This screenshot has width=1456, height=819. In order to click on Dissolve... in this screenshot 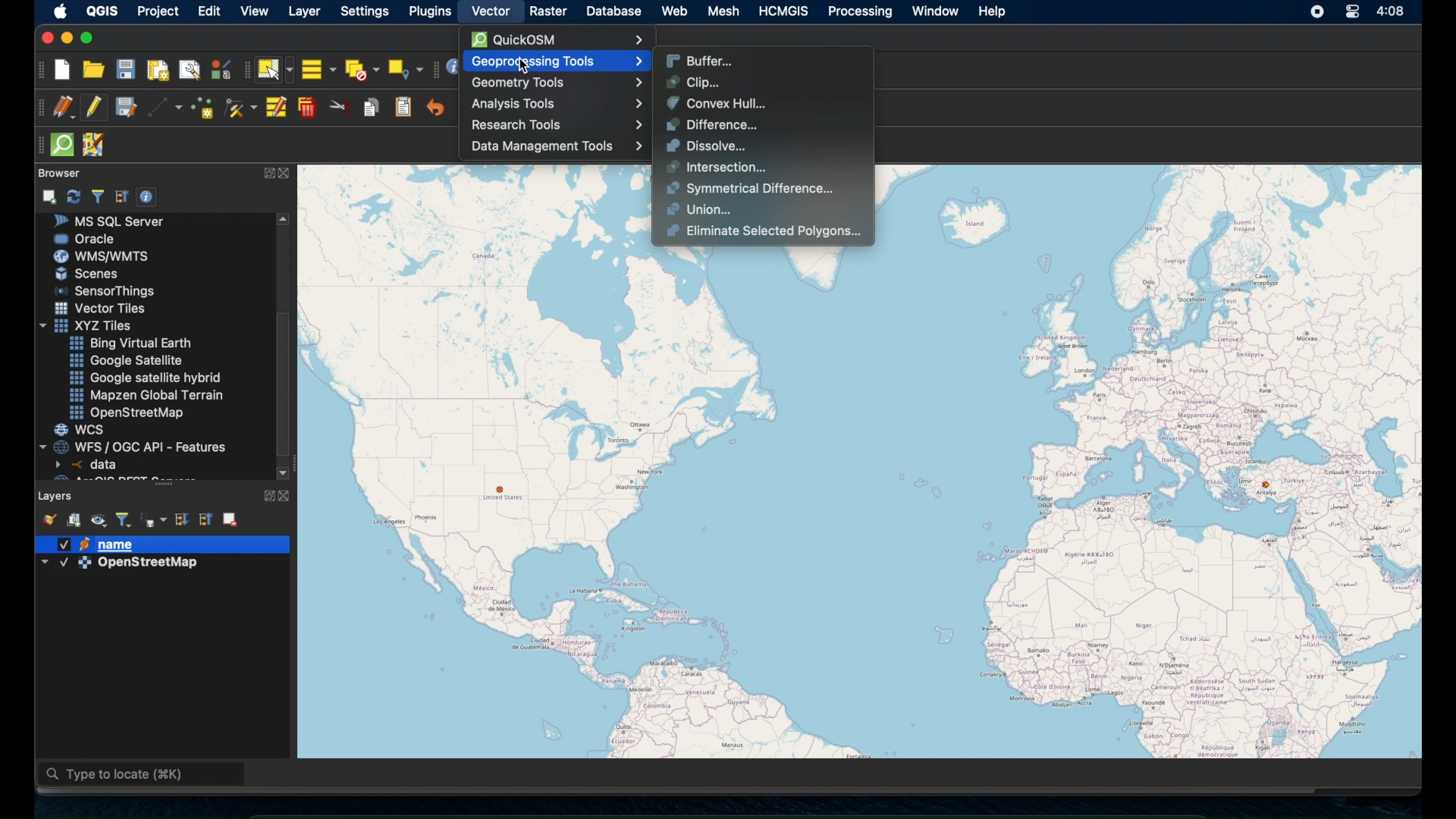, I will do `click(705, 145)`.